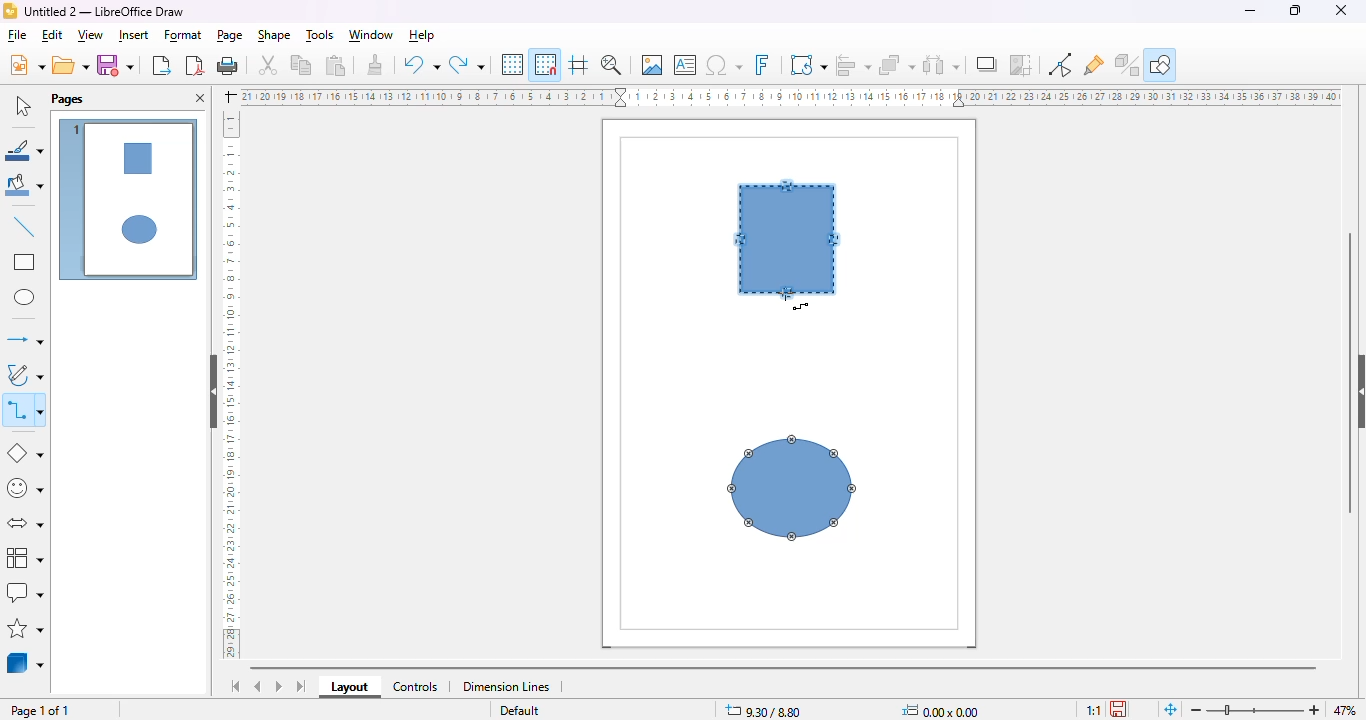 The width and height of the screenshot is (1366, 720). Describe the element at coordinates (26, 489) in the screenshot. I see `symbol shapes` at that location.